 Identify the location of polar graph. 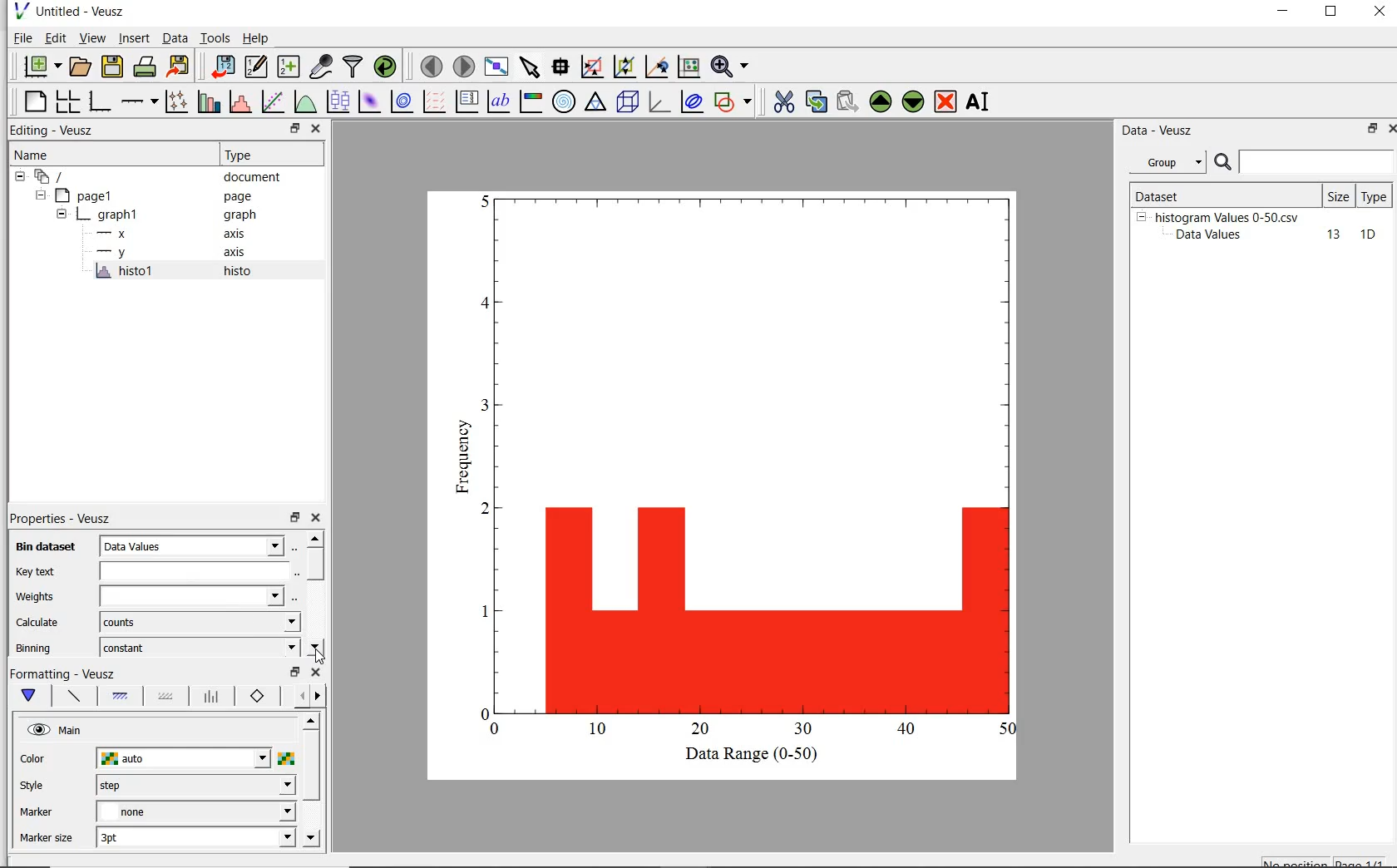
(564, 101).